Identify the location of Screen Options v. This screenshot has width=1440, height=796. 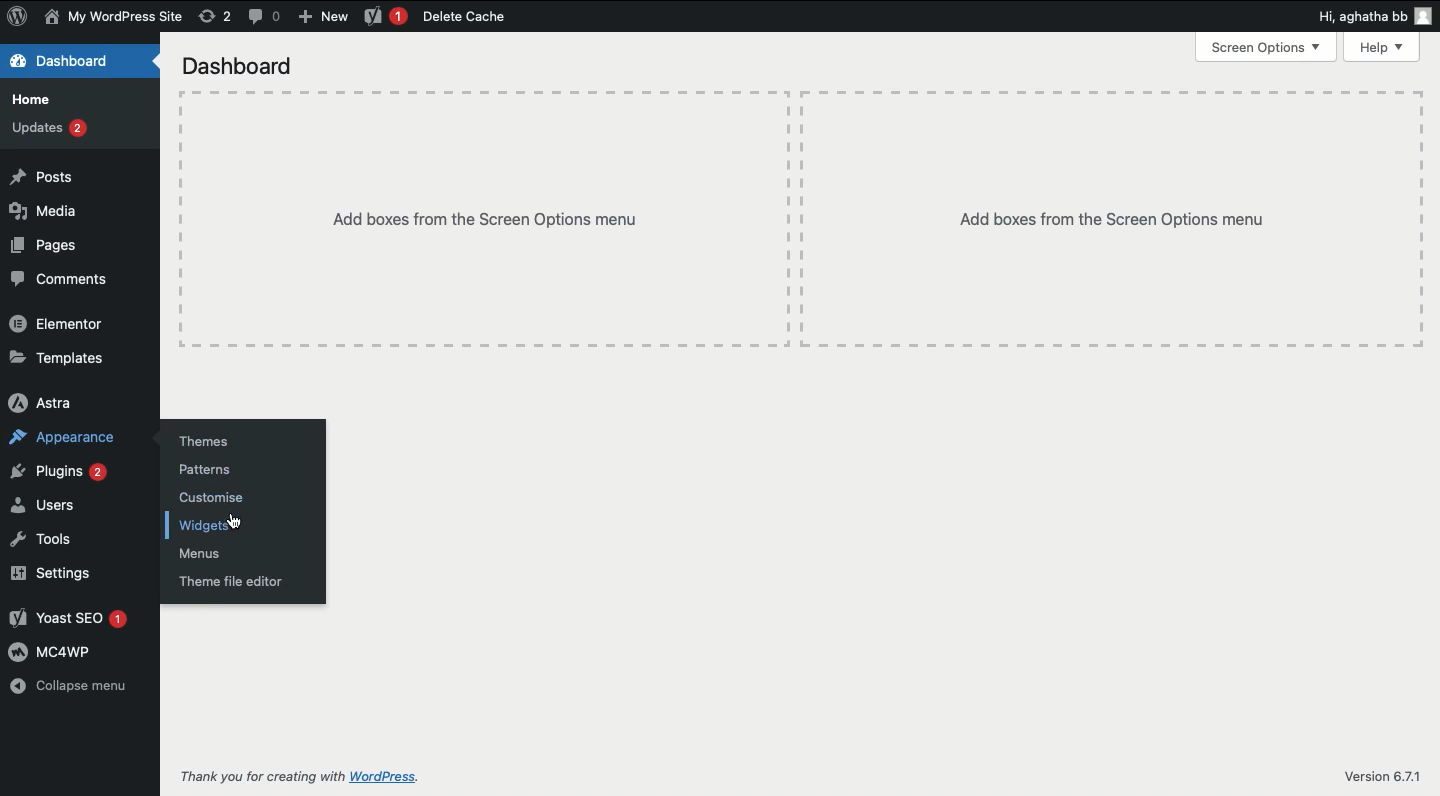
(1264, 49).